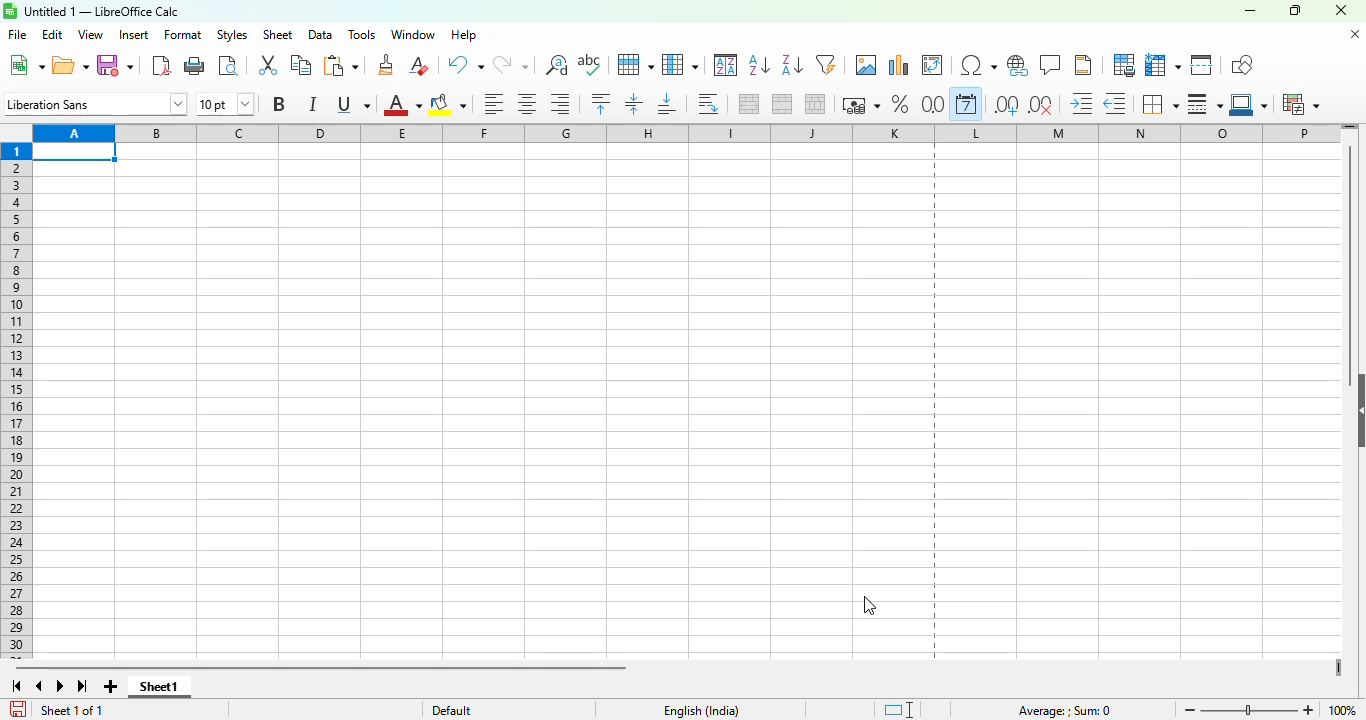 Image resolution: width=1366 pixels, height=720 pixels. Describe the element at coordinates (1341, 10) in the screenshot. I see `close` at that location.